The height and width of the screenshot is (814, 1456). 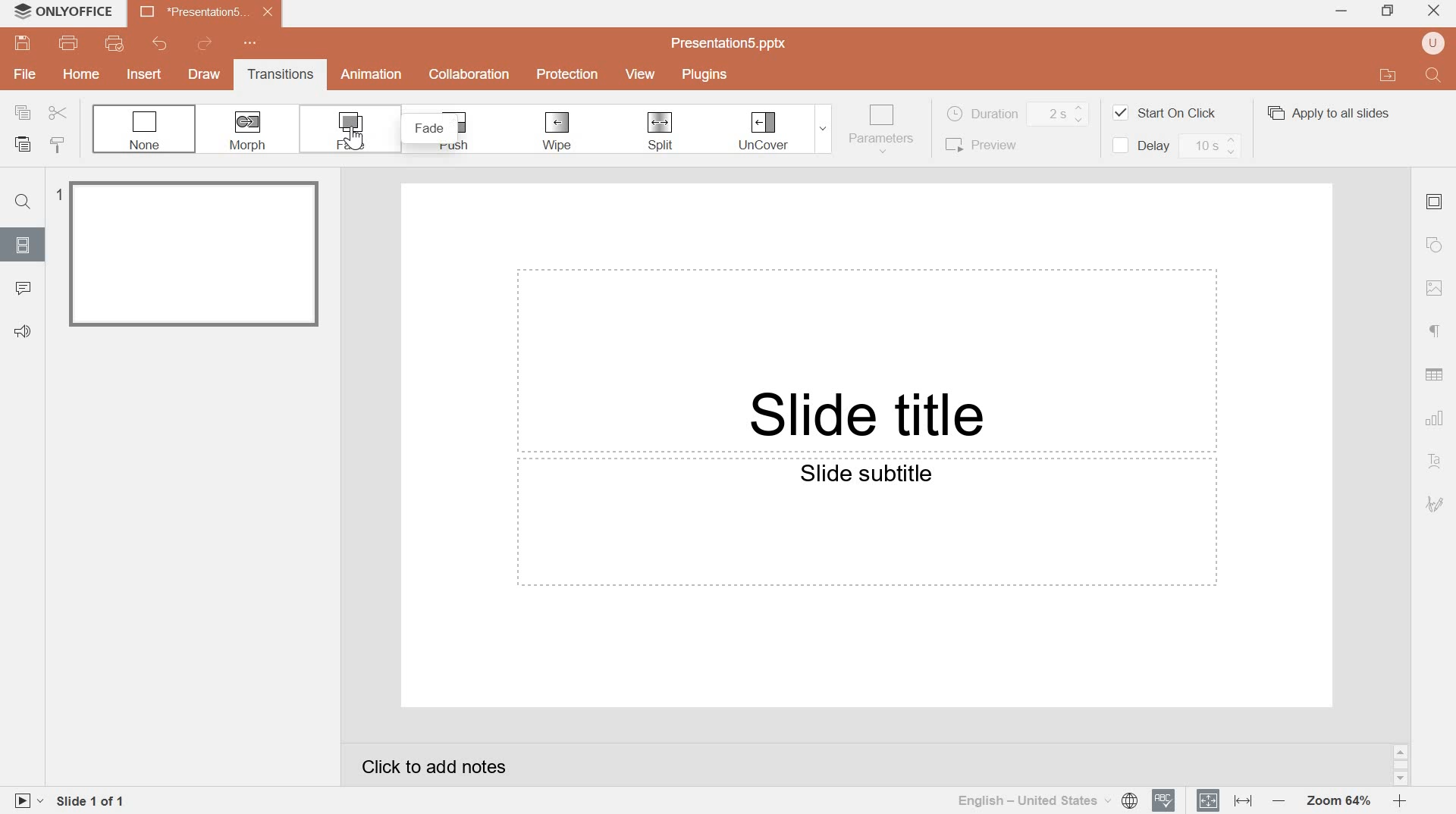 I want to click on open file location, so click(x=1389, y=74).